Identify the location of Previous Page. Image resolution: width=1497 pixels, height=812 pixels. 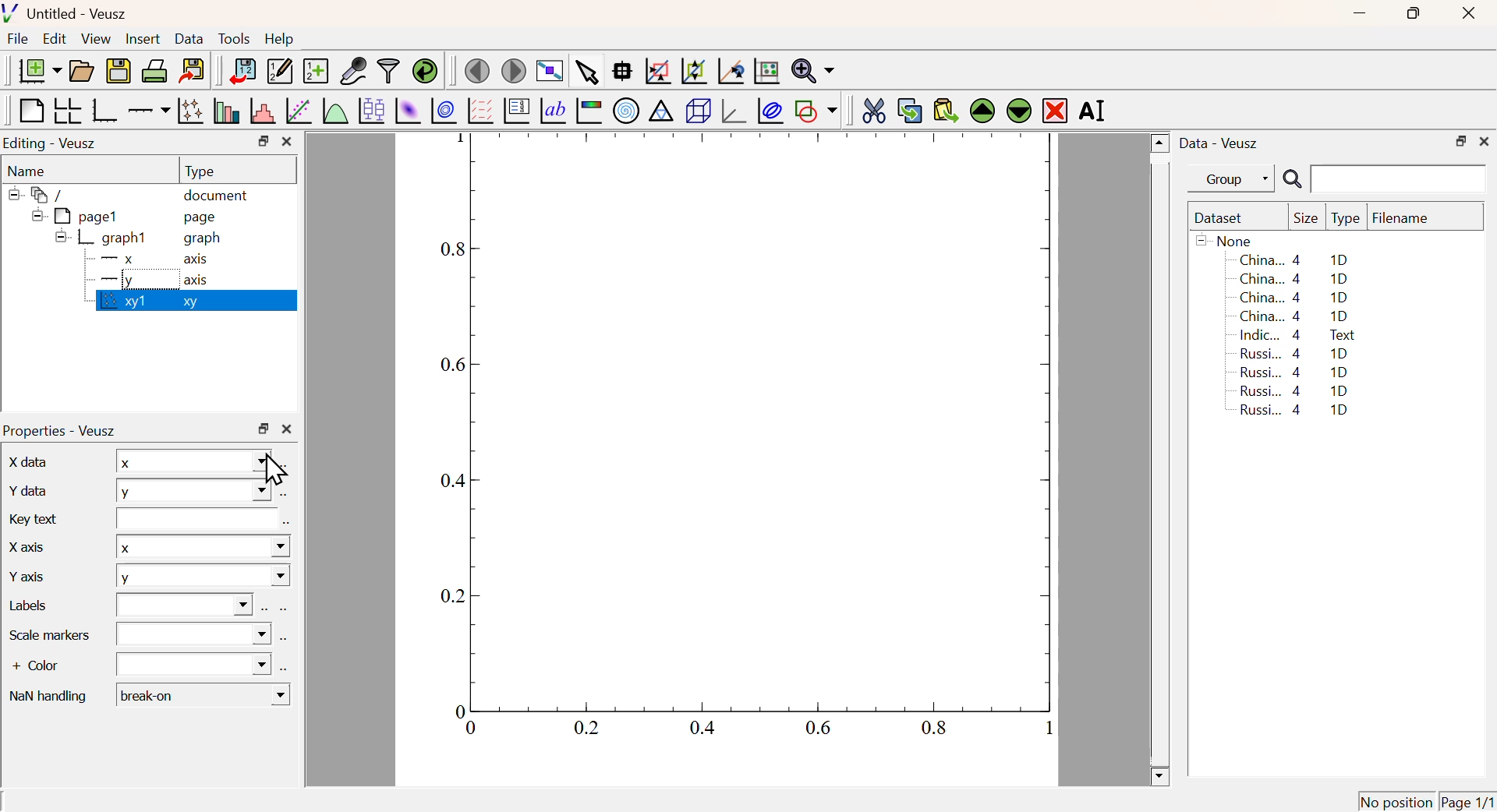
(478, 72).